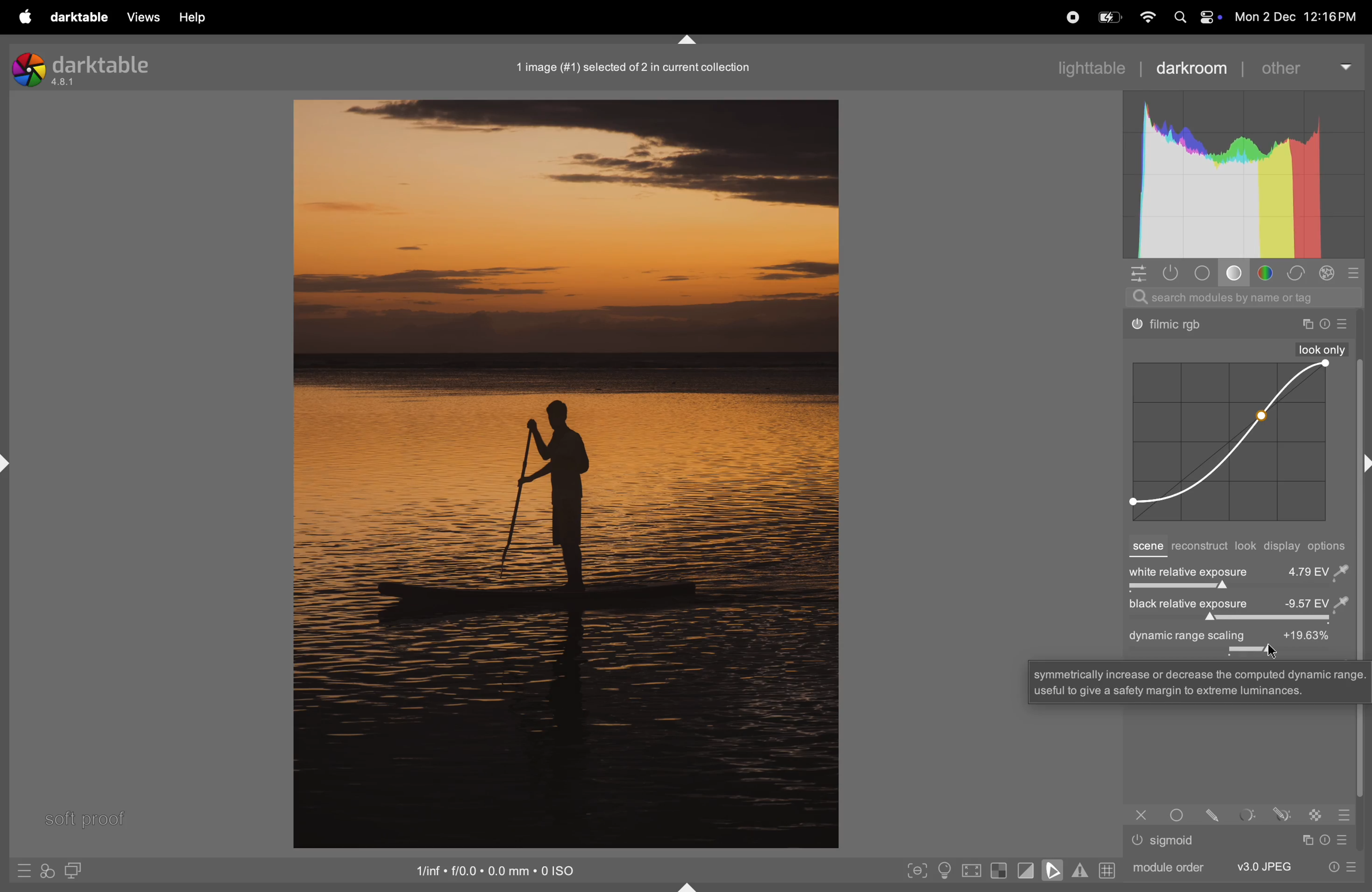 This screenshot has height=892, width=1372. I want to click on , so click(1175, 841).